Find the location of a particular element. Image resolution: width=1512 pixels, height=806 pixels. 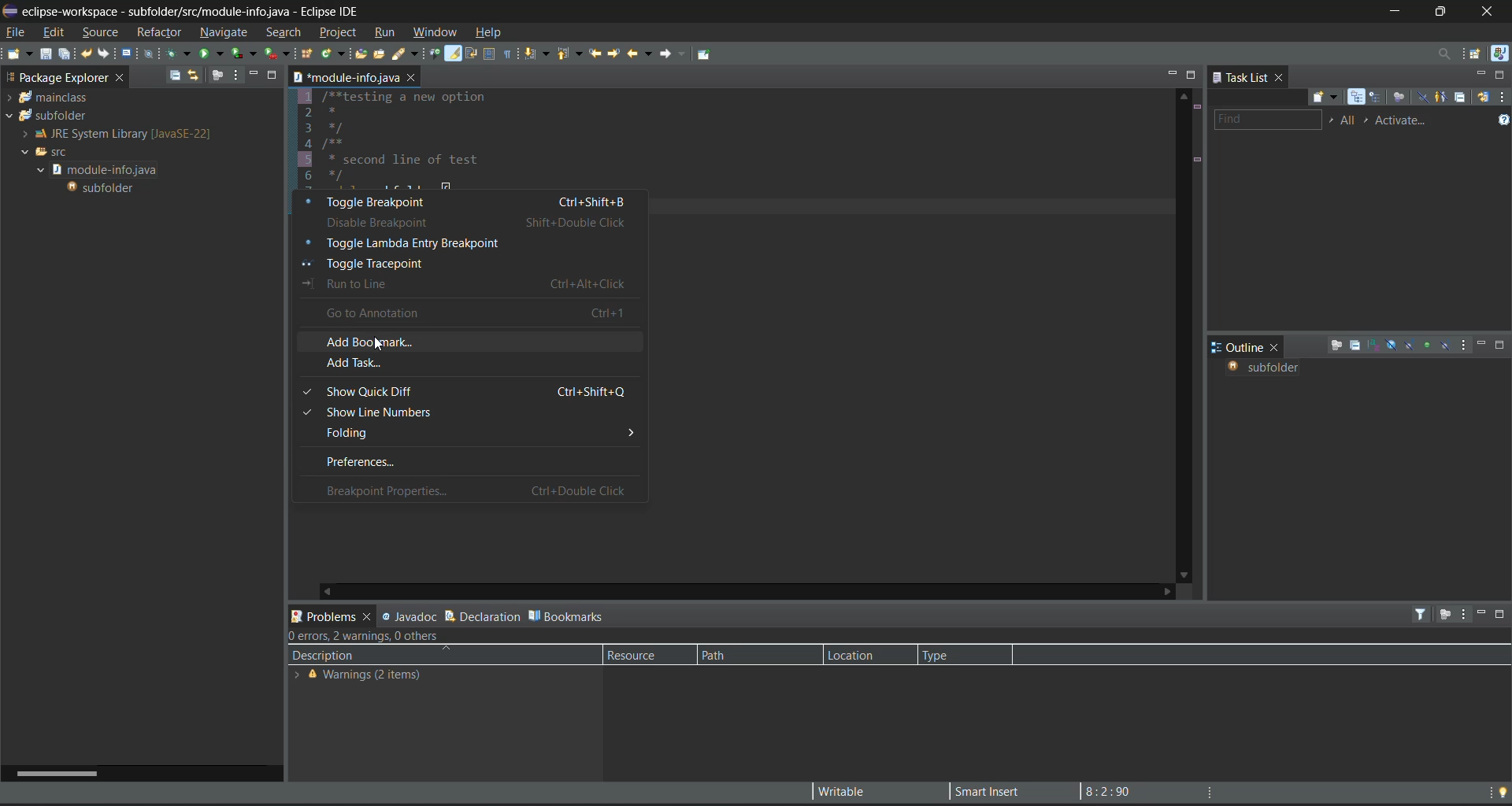

activate is located at coordinates (1406, 120).